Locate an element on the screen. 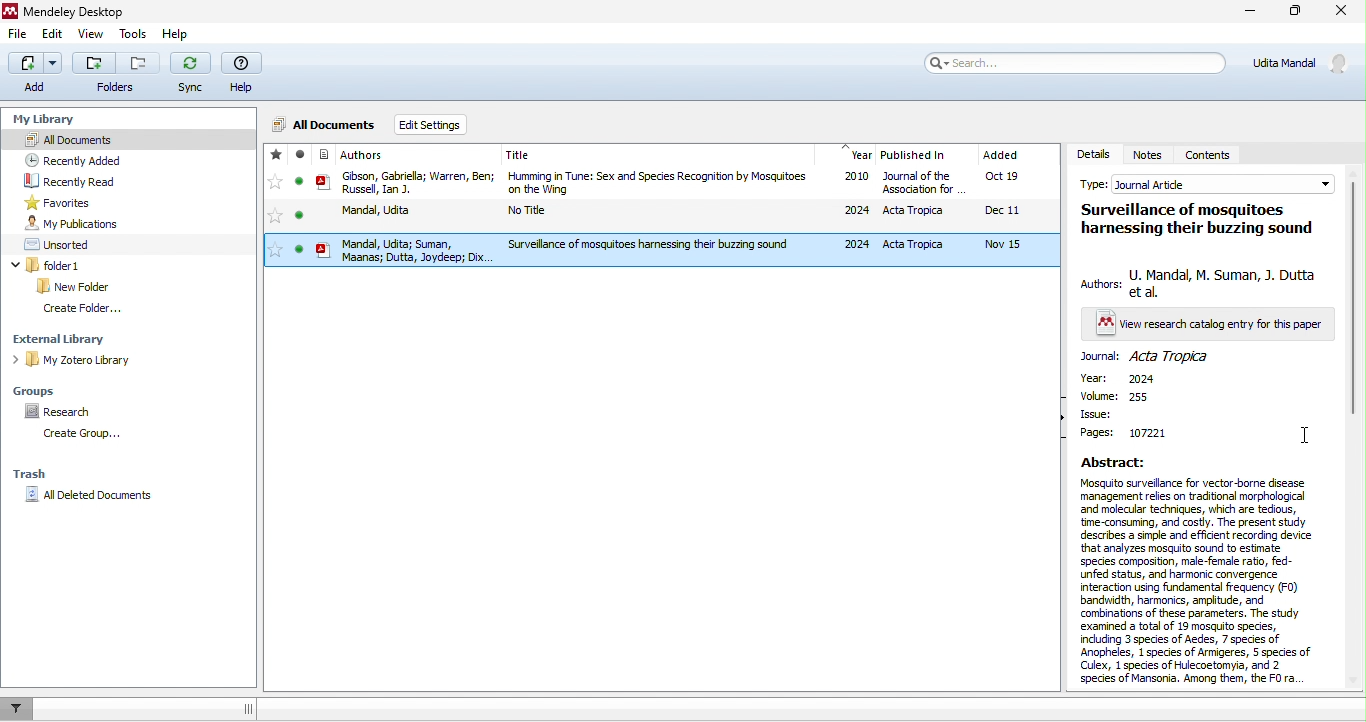 This screenshot has width=1366, height=722. research is located at coordinates (60, 413).